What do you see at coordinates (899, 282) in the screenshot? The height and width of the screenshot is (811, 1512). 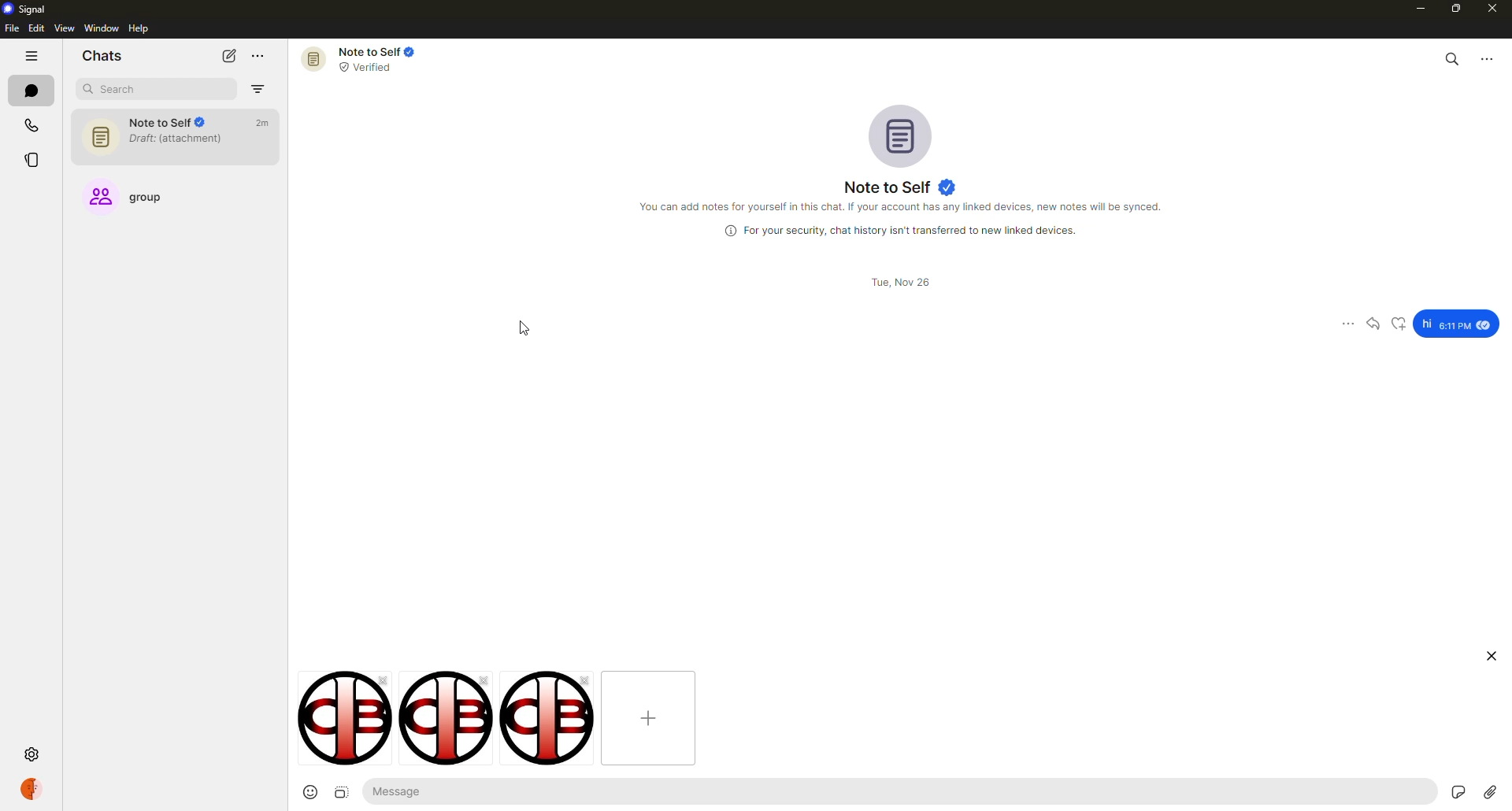 I see `date` at bounding box center [899, 282].